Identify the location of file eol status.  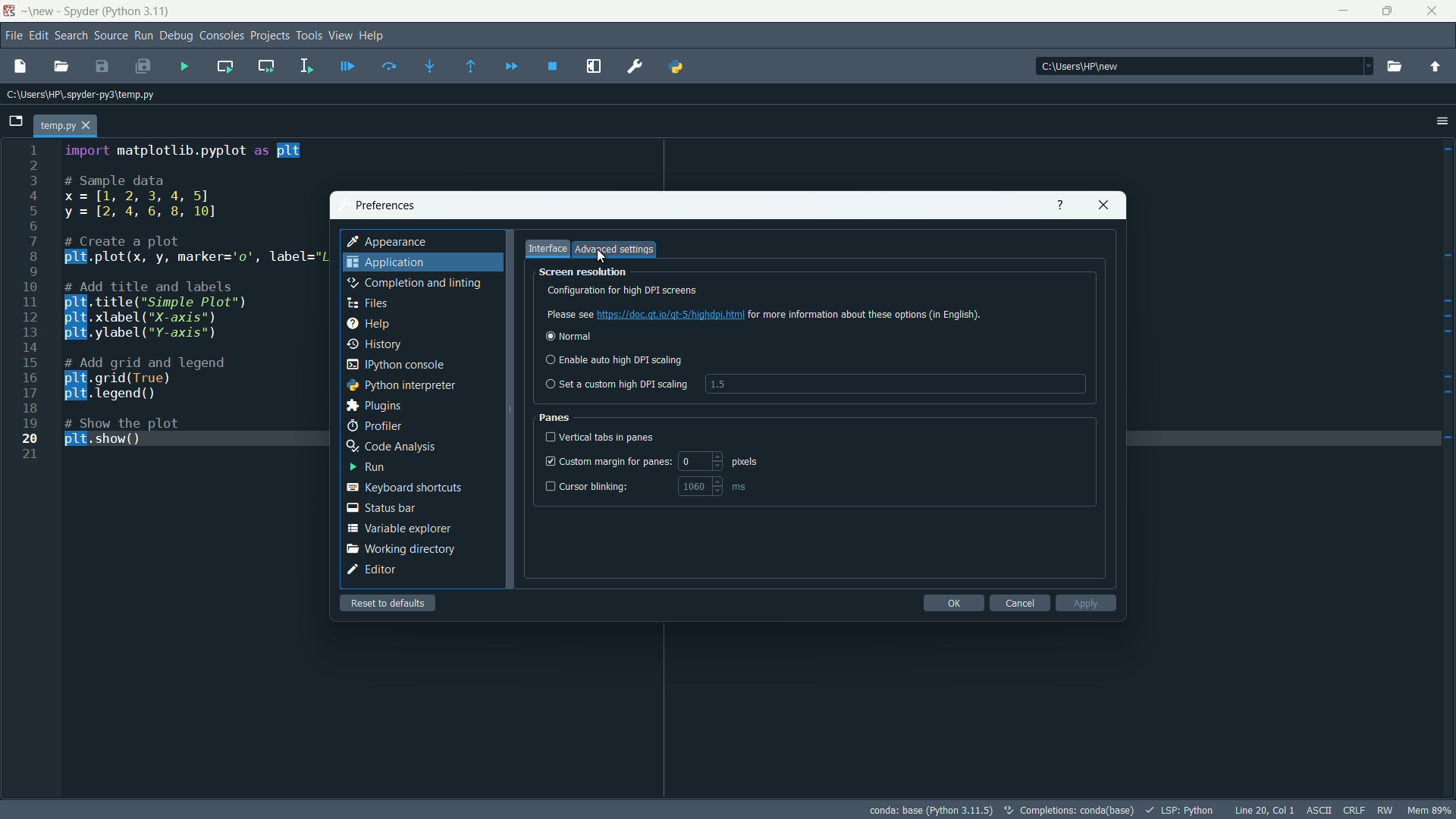
(1354, 810).